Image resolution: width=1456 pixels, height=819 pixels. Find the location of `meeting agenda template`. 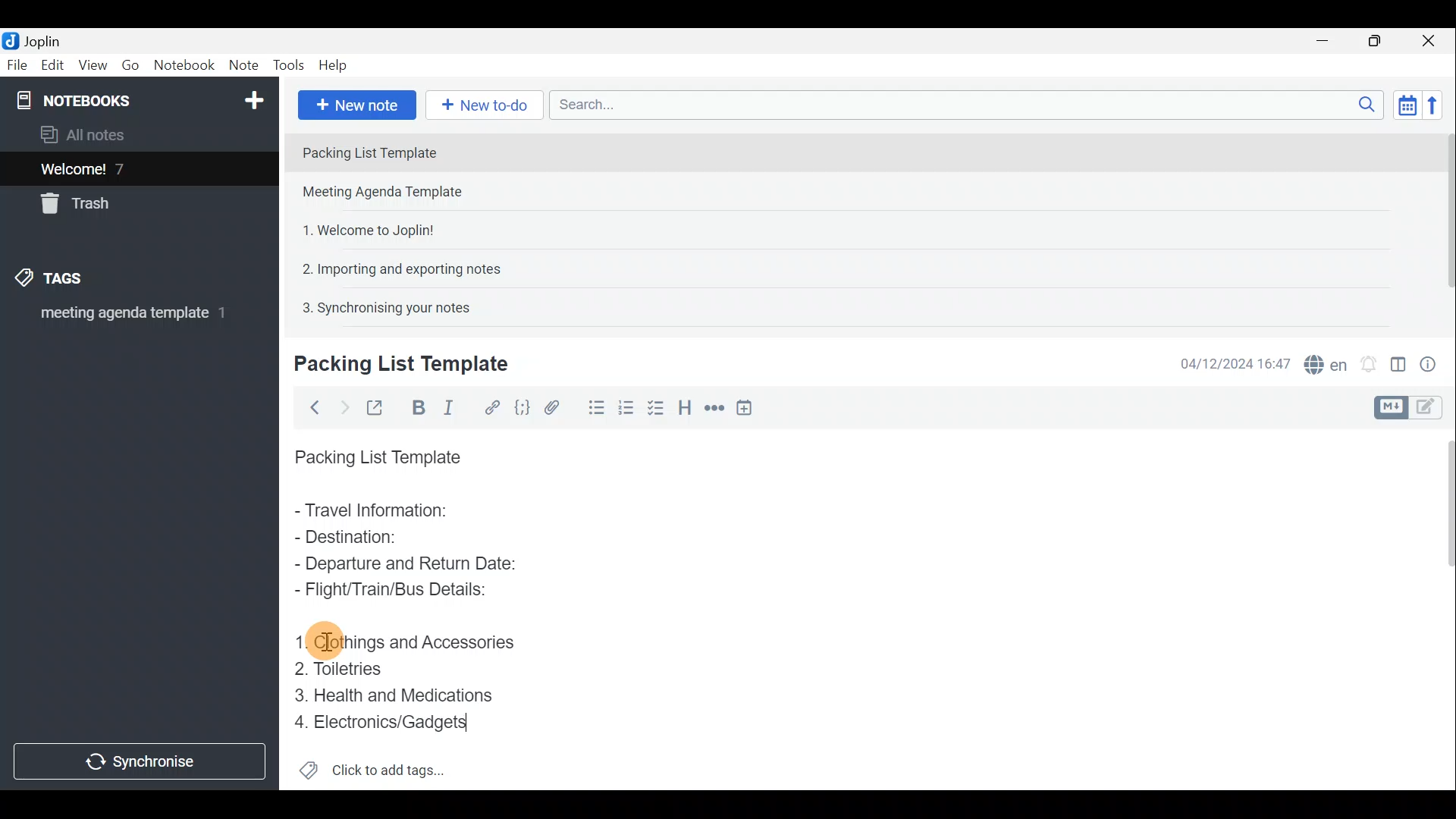

meeting agenda template is located at coordinates (130, 318).